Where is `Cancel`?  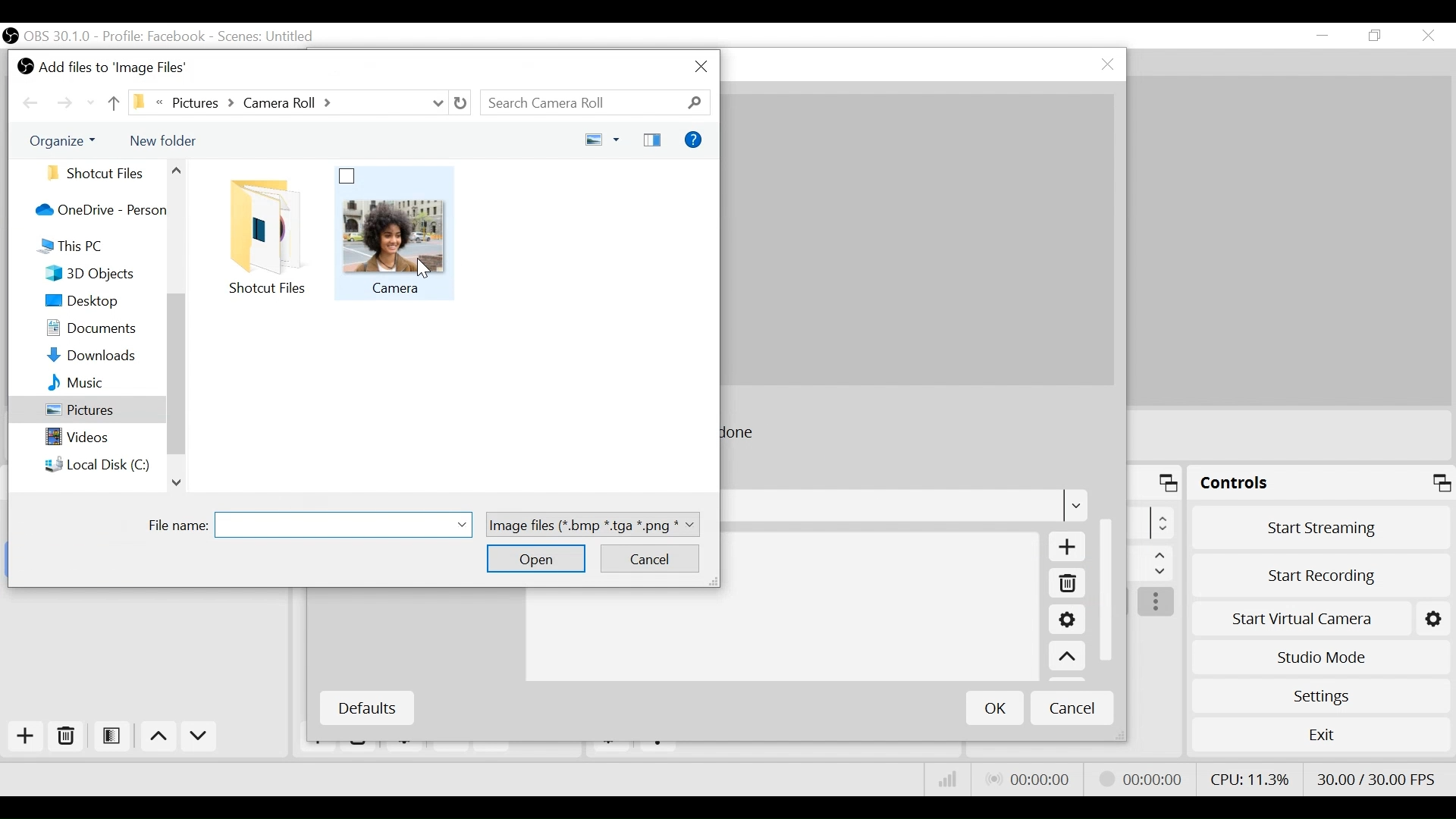 Cancel is located at coordinates (652, 558).